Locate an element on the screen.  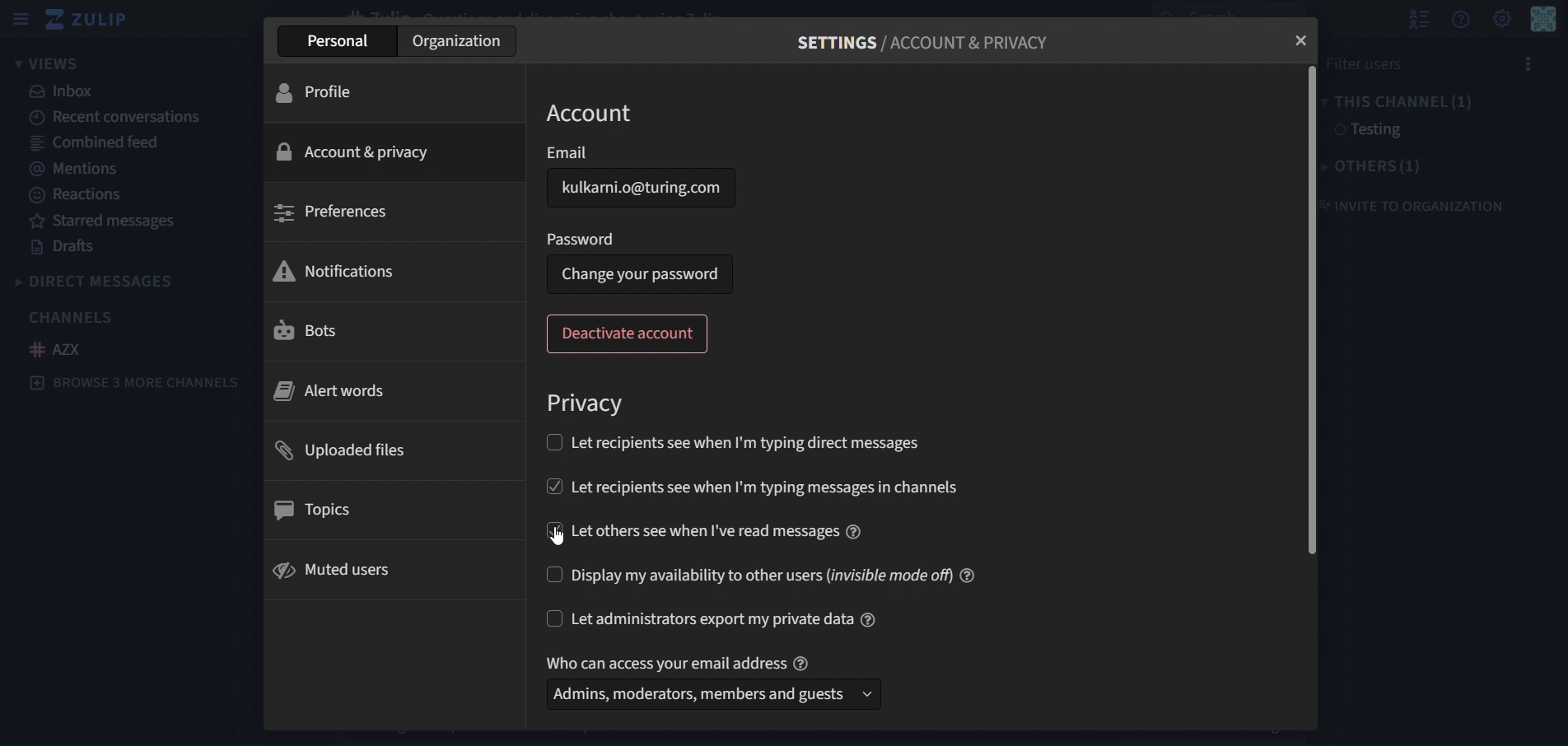
direct messages is located at coordinates (118, 280).